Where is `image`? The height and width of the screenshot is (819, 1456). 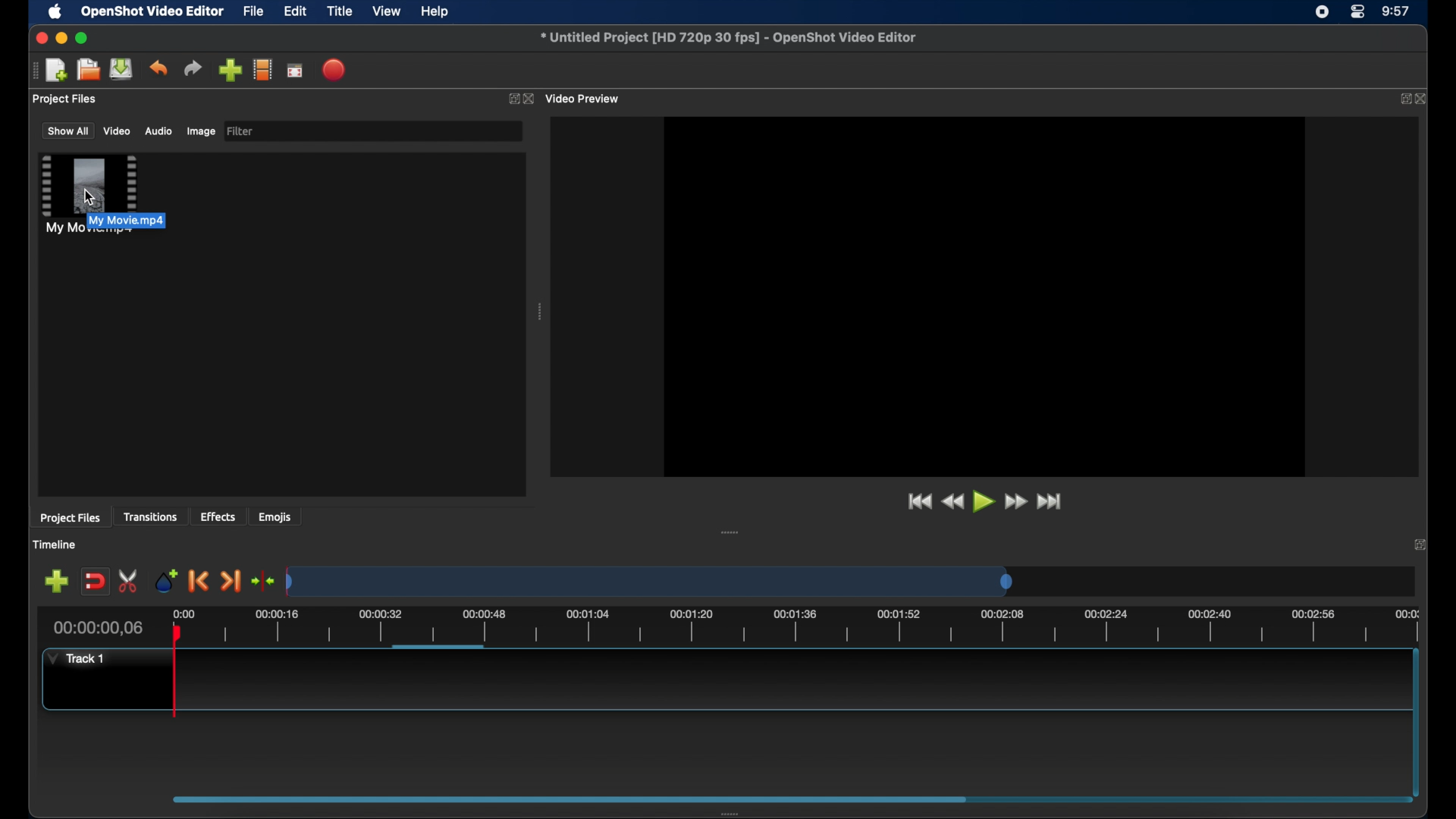
image is located at coordinates (200, 133).